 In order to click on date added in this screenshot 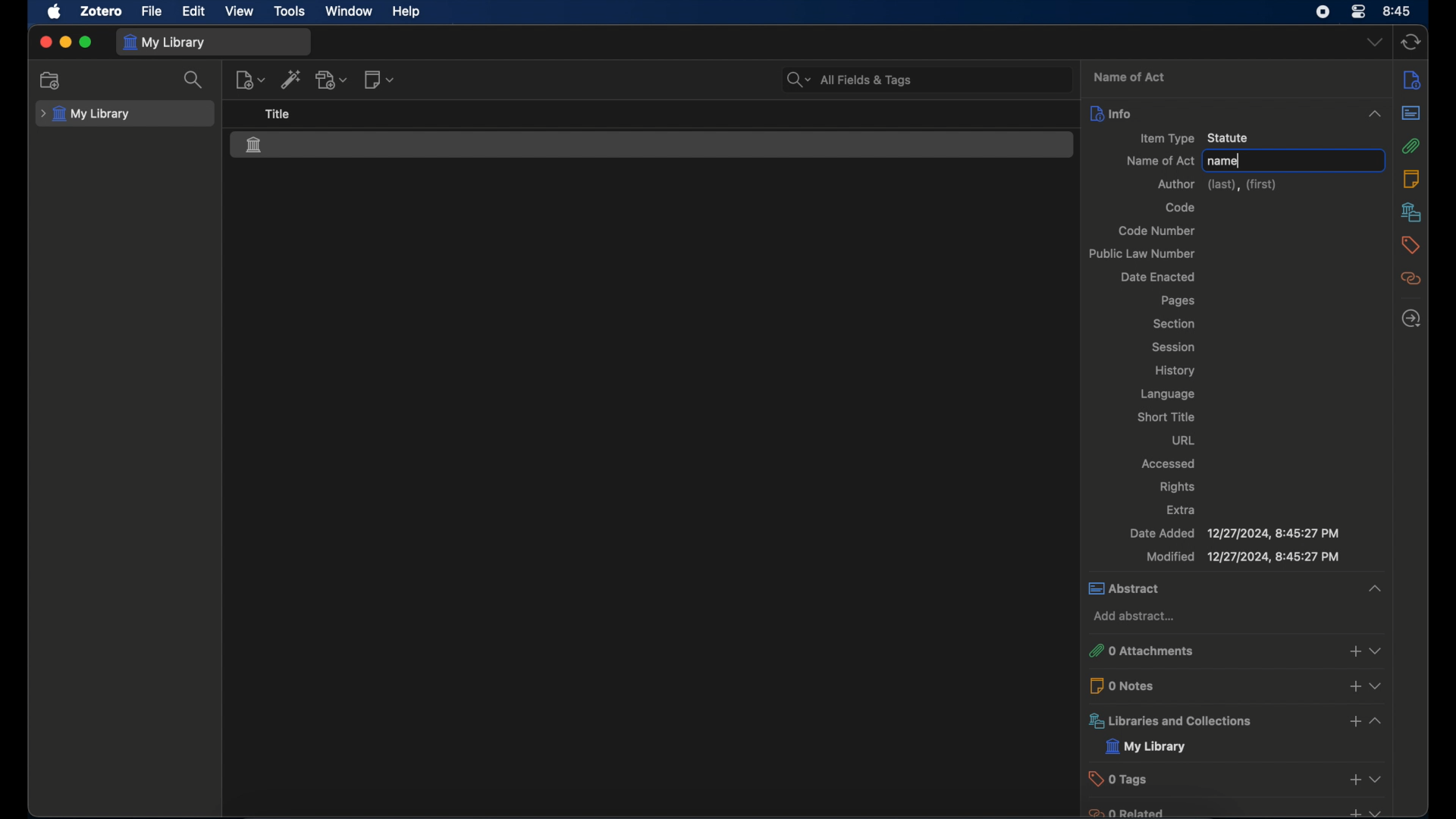, I will do `click(1232, 534)`.